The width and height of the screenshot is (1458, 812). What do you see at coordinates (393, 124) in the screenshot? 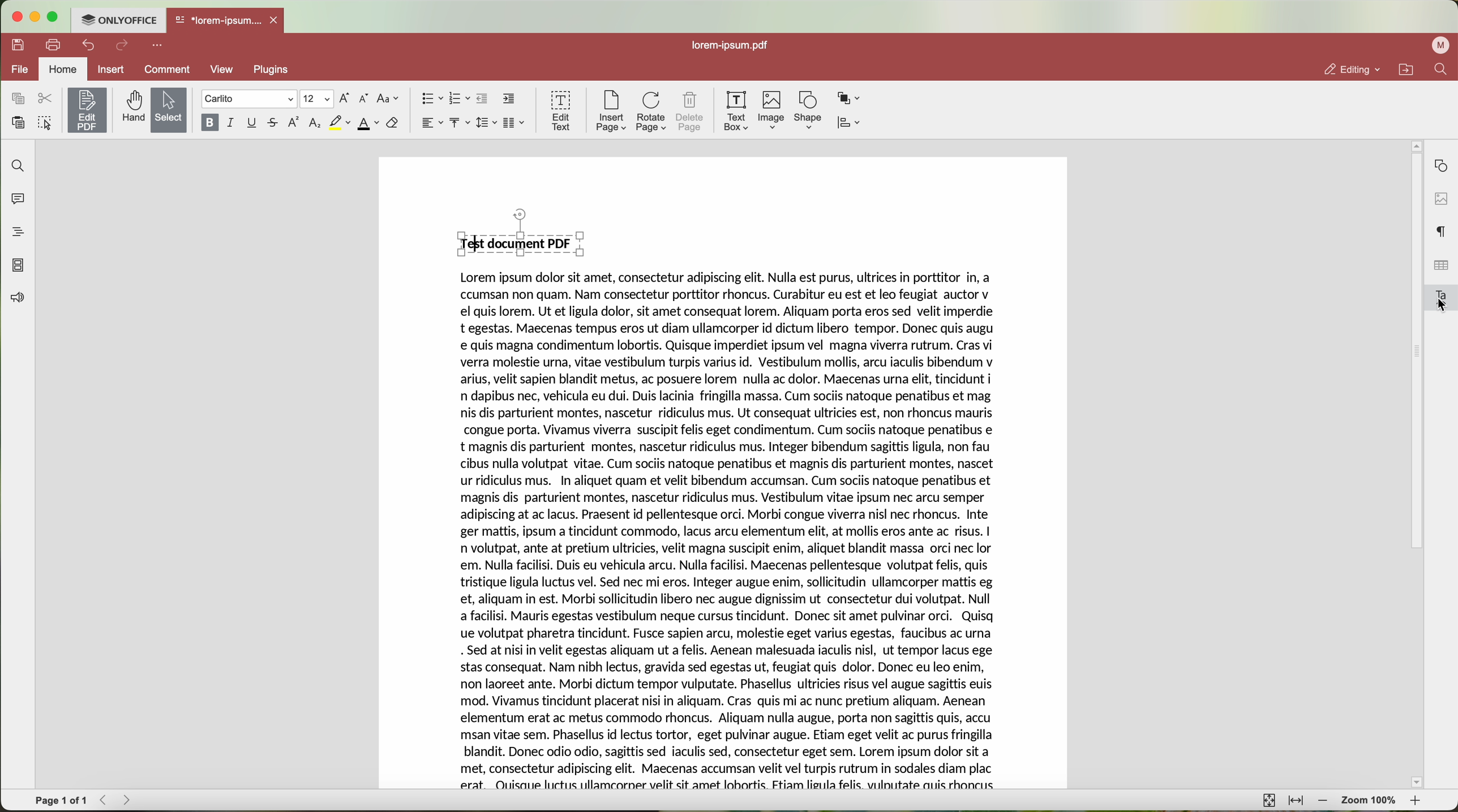
I see `clear style` at bounding box center [393, 124].